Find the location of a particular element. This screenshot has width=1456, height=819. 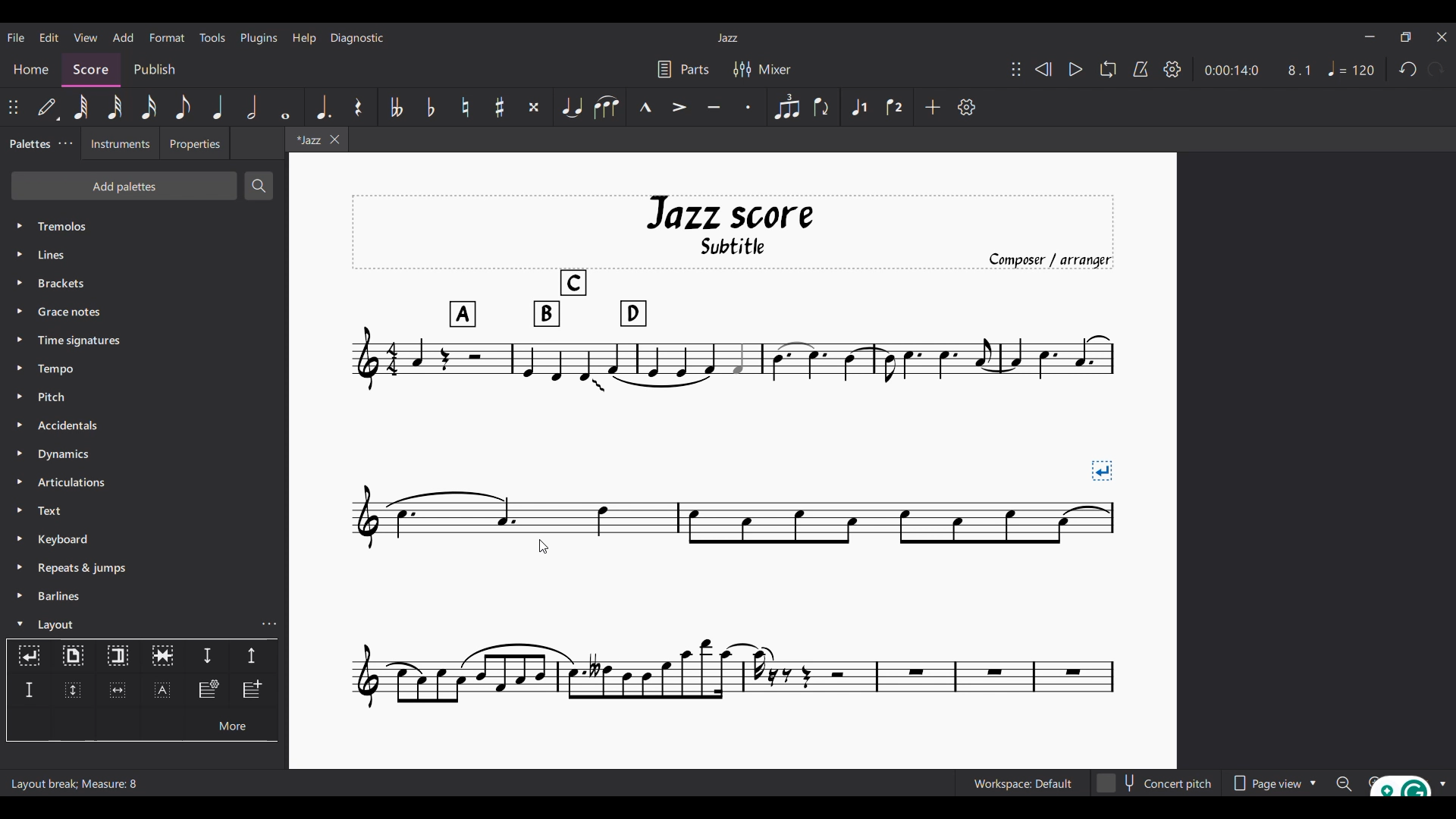

Tools menu is located at coordinates (212, 37).